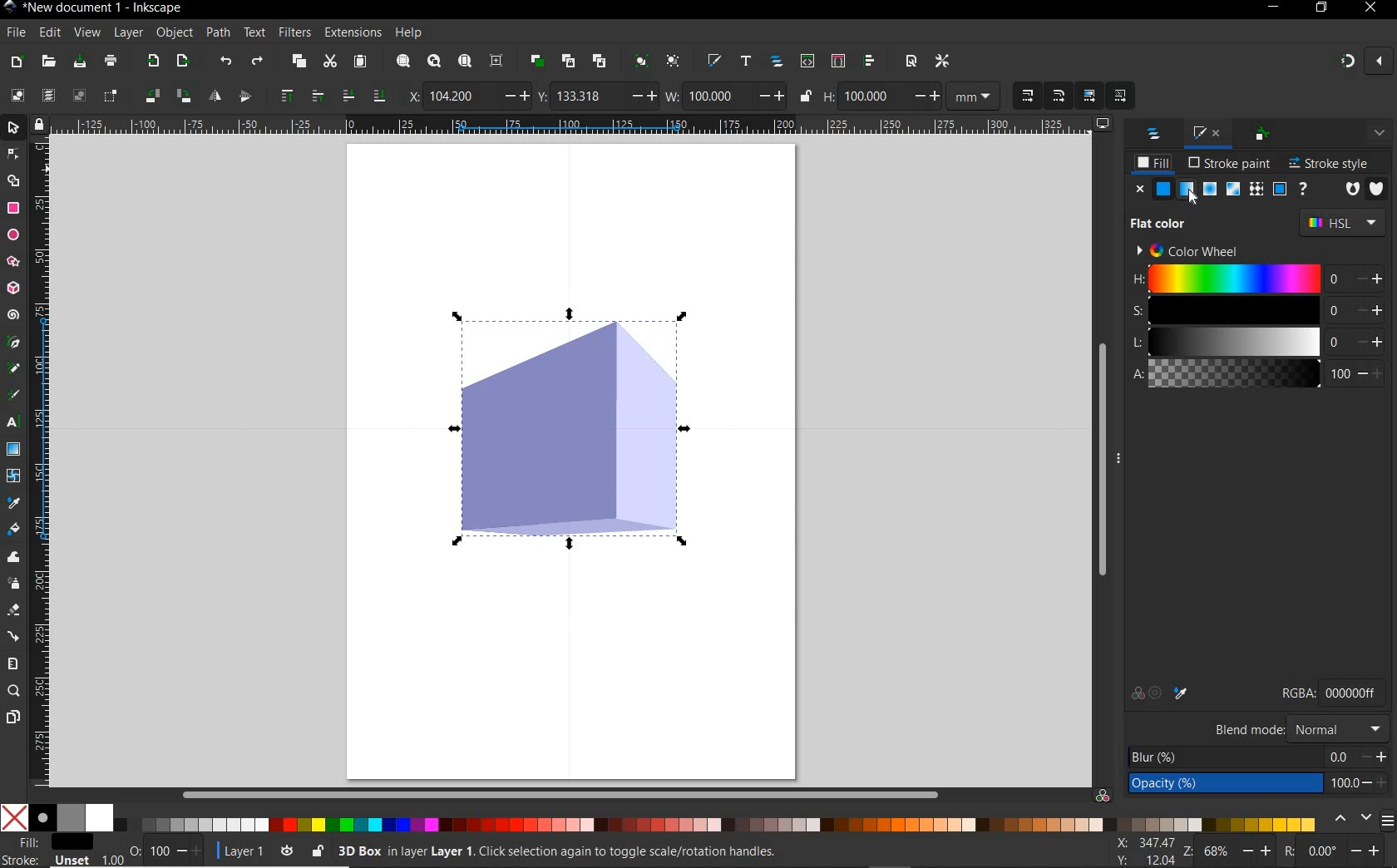 The height and width of the screenshot is (868, 1397). What do you see at coordinates (828, 96) in the screenshot?
I see `HEIGHT OF SELECTION` at bounding box center [828, 96].